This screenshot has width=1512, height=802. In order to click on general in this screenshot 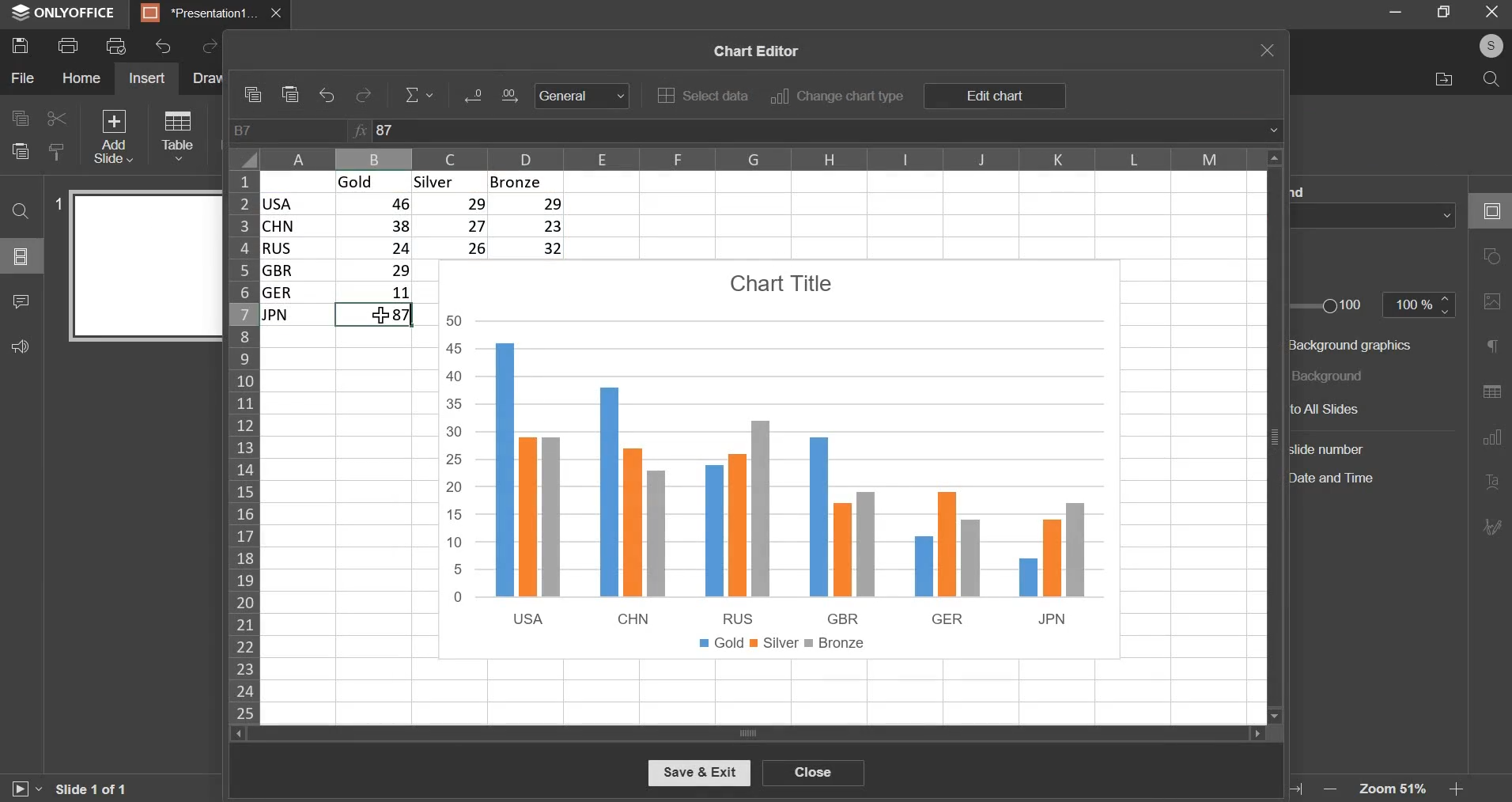, I will do `click(581, 96)`.